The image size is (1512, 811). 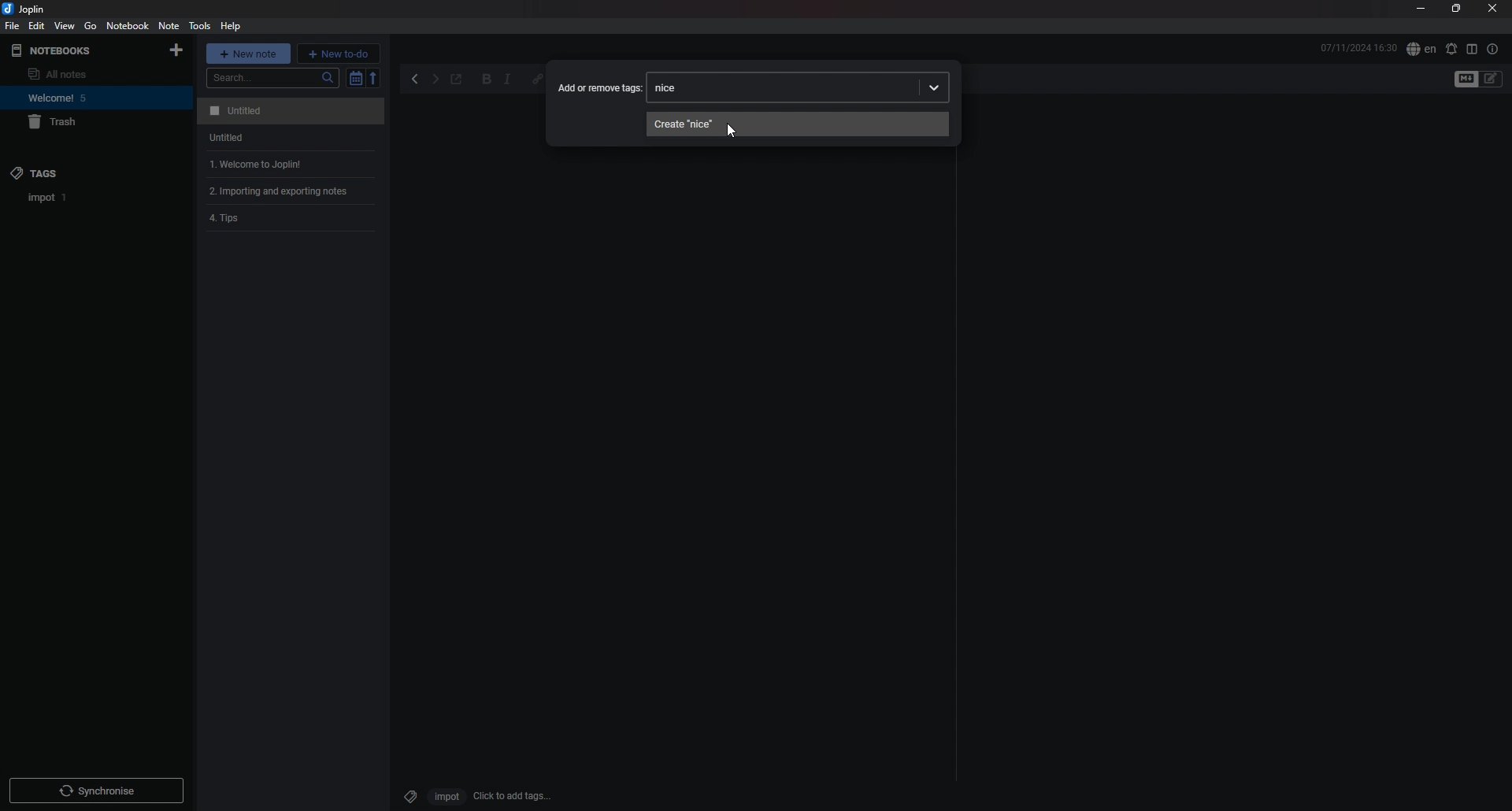 What do you see at coordinates (1492, 49) in the screenshot?
I see `note properties` at bounding box center [1492, 49].